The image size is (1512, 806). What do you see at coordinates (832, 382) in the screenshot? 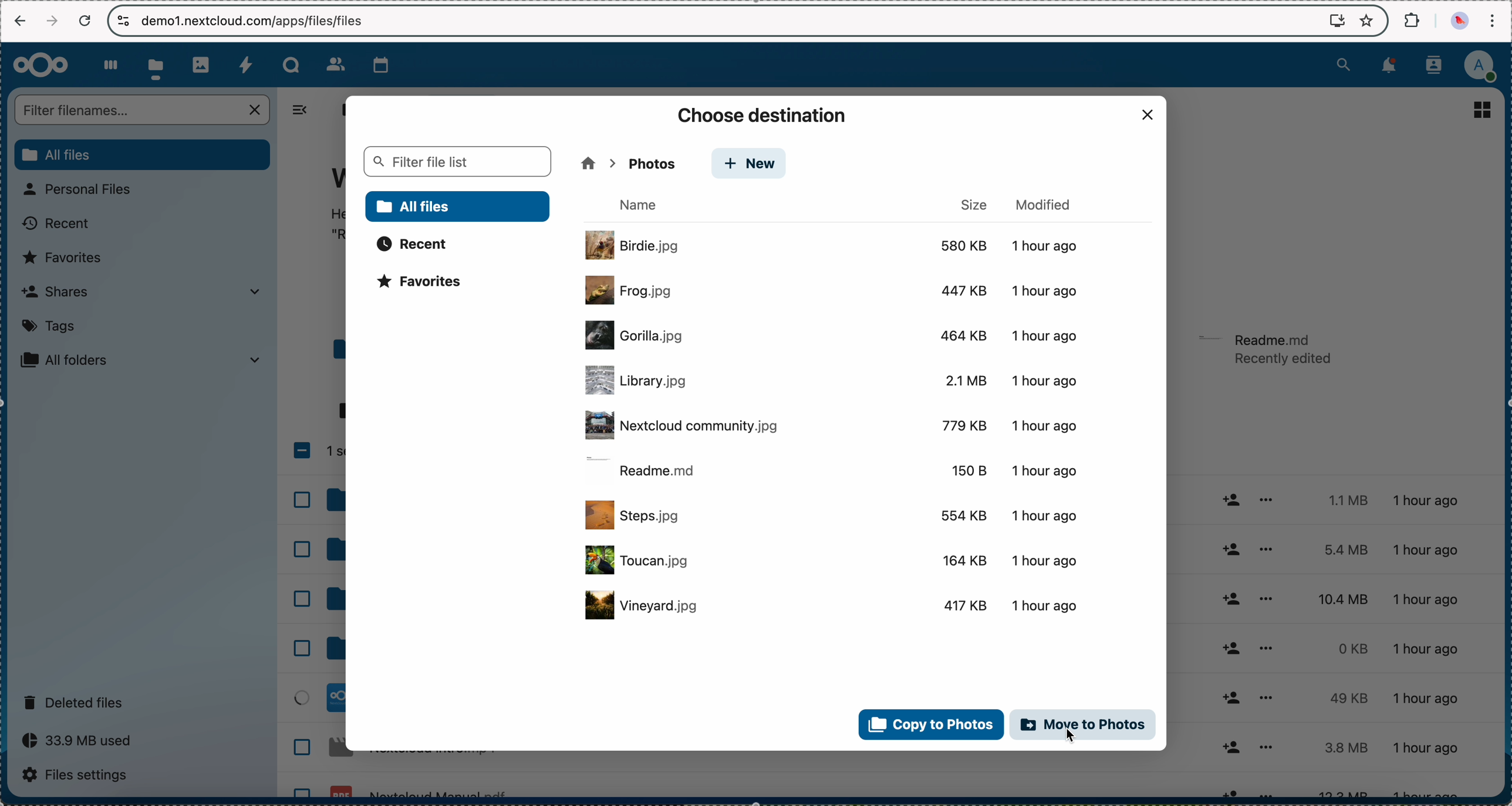
I see `file` at bounding box center [832, 382].